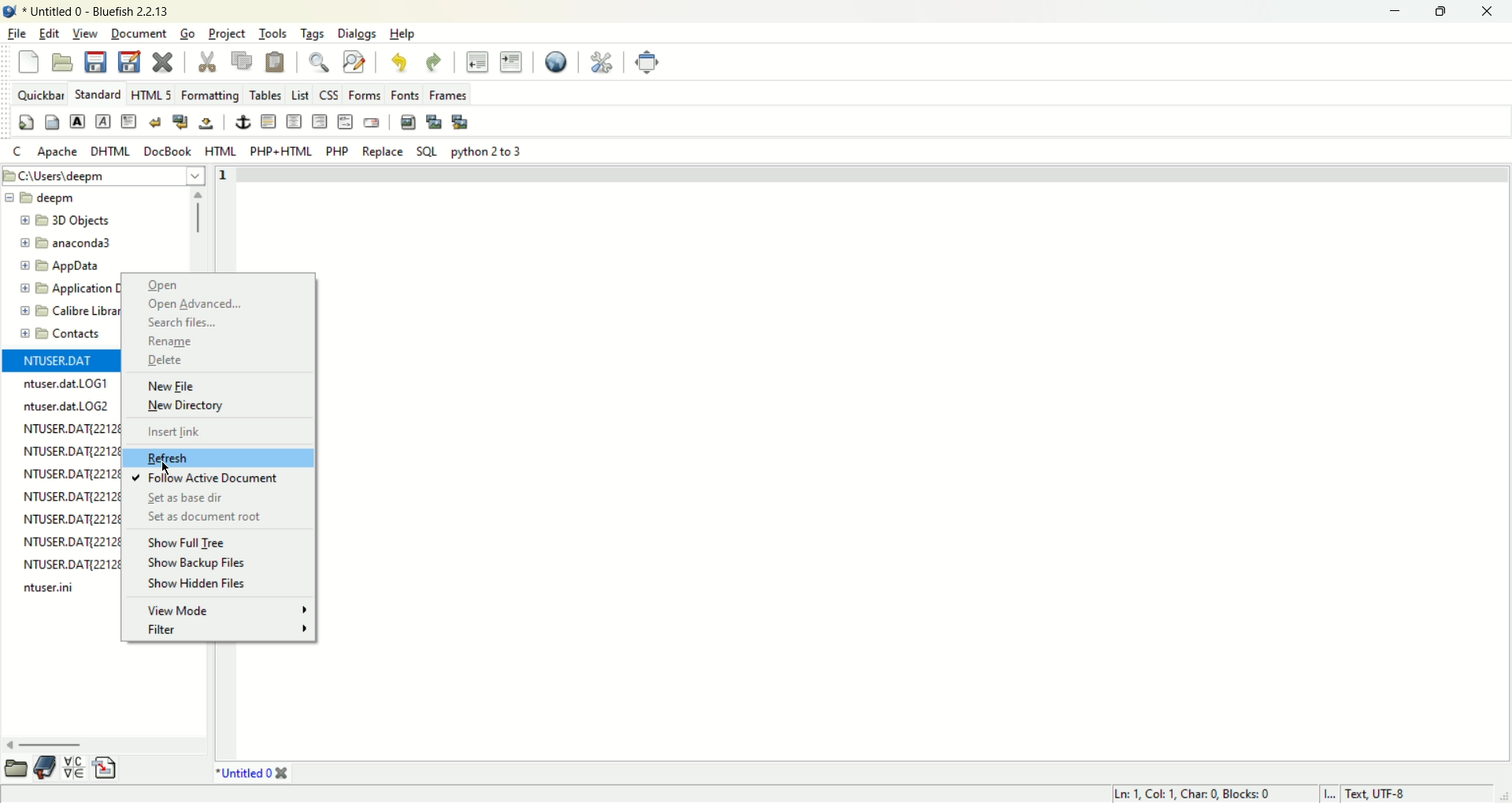 Image resolution: width=1512 pixels, height=803 pixels. Describe the element at coordinates (317, 62) in the screenshot. I see `find` at that location.